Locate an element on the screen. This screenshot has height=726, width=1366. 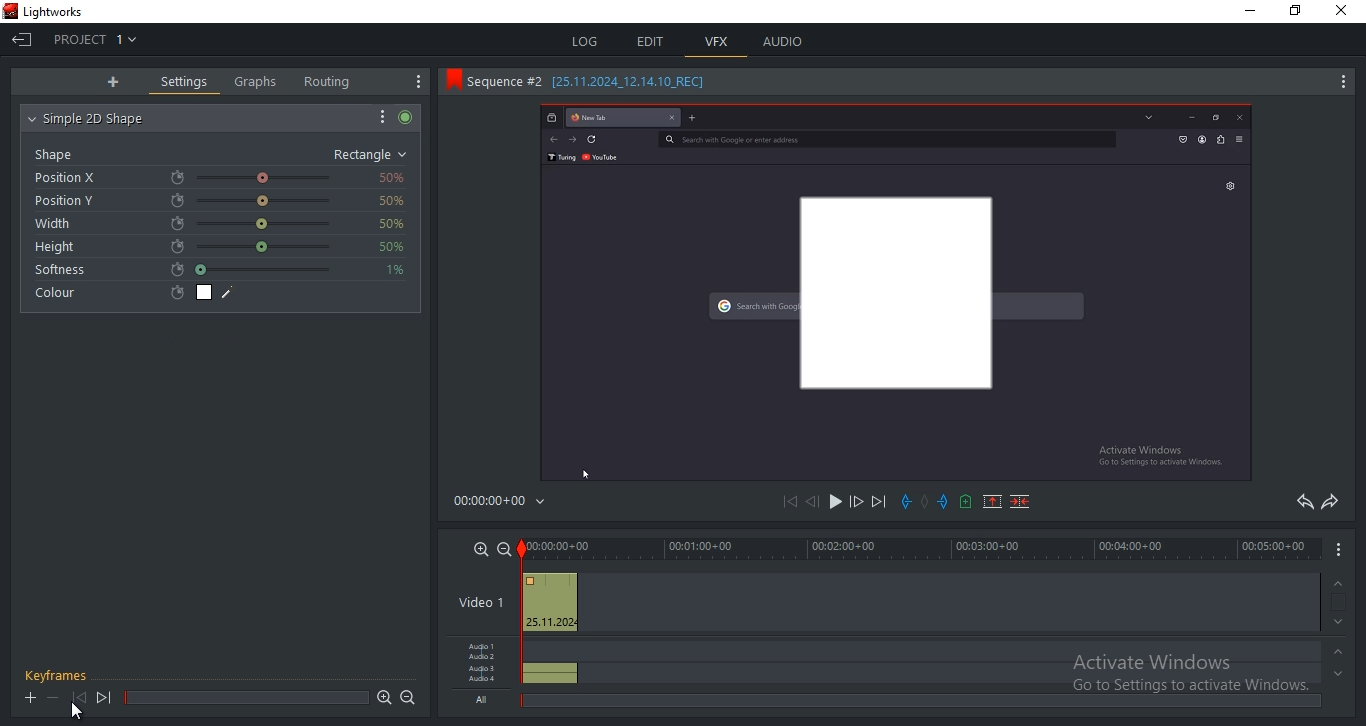
audio is located at coordinates (483, 673).